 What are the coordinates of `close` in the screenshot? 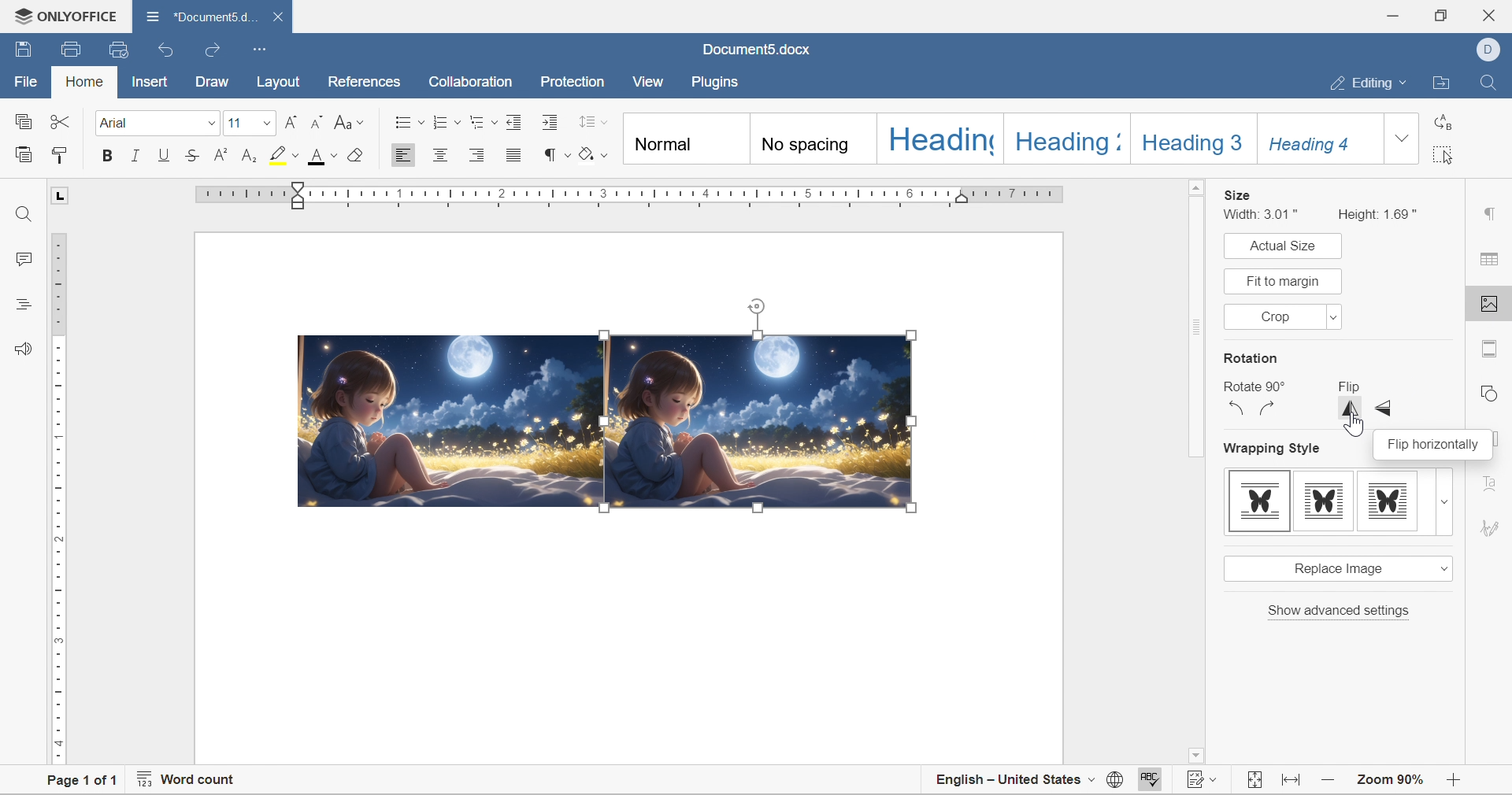 It's located at (1494, 13).